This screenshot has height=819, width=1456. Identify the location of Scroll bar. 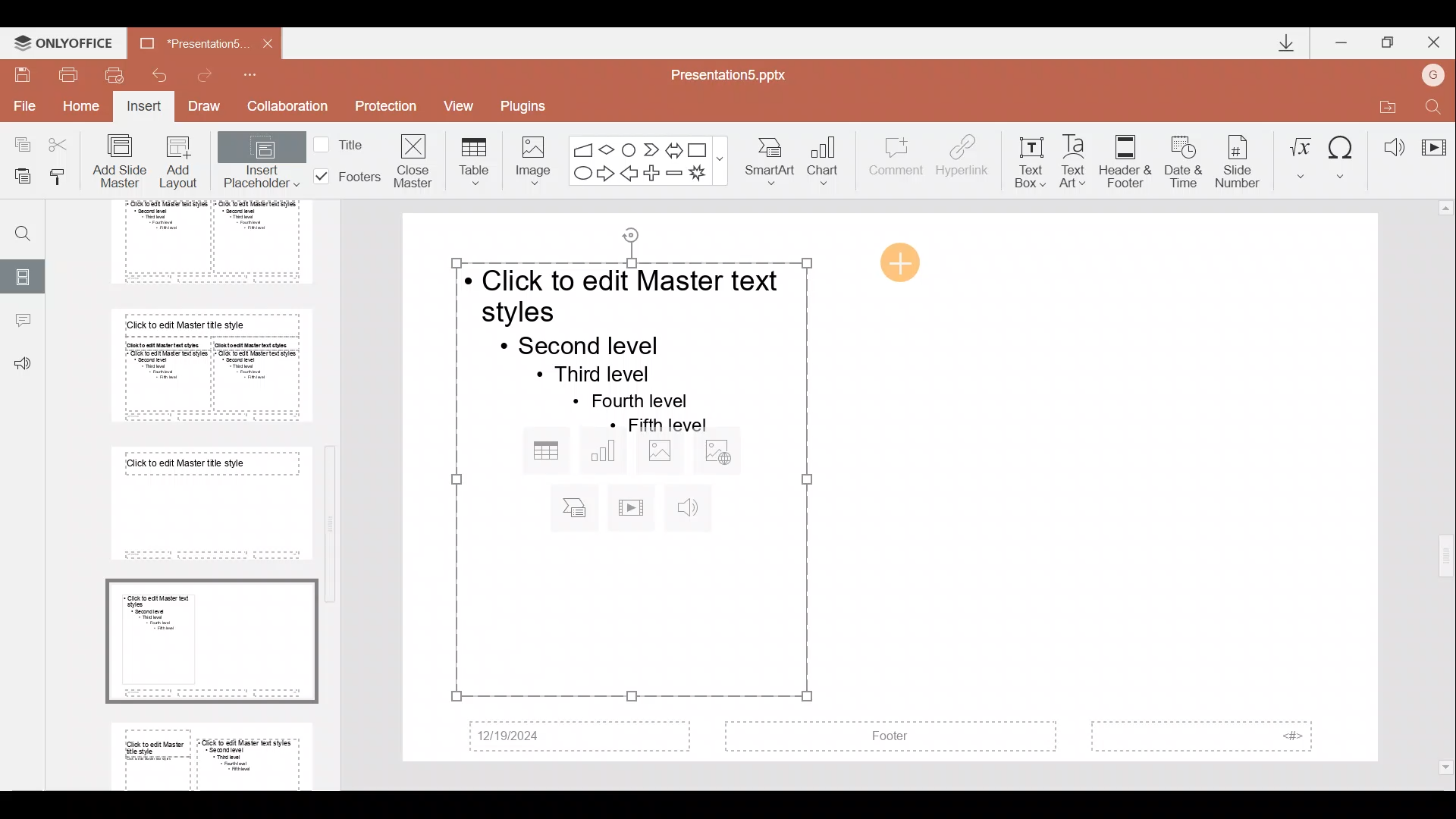
(334, 485).